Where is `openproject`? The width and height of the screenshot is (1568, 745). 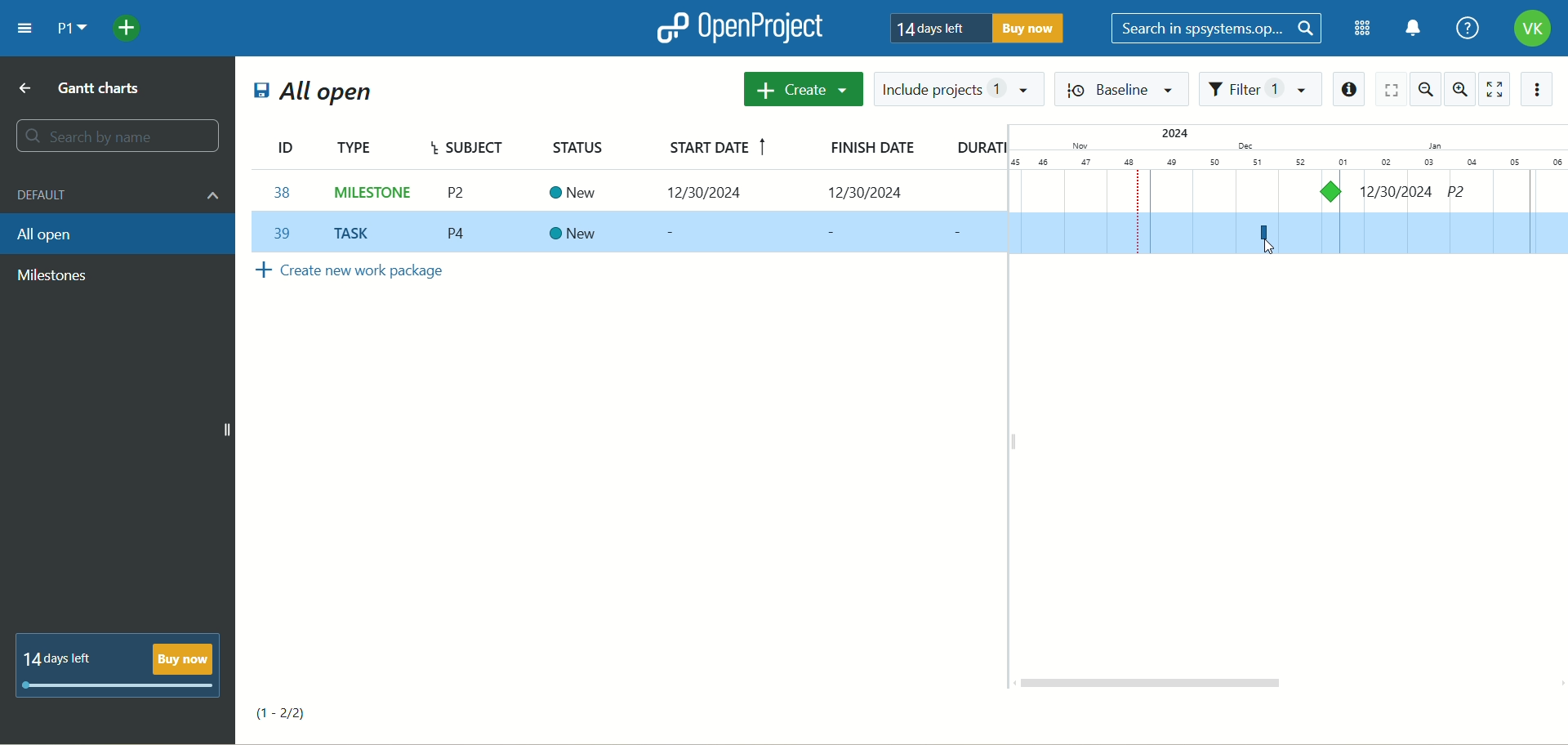 openproject is located at coordinates (738, 27).